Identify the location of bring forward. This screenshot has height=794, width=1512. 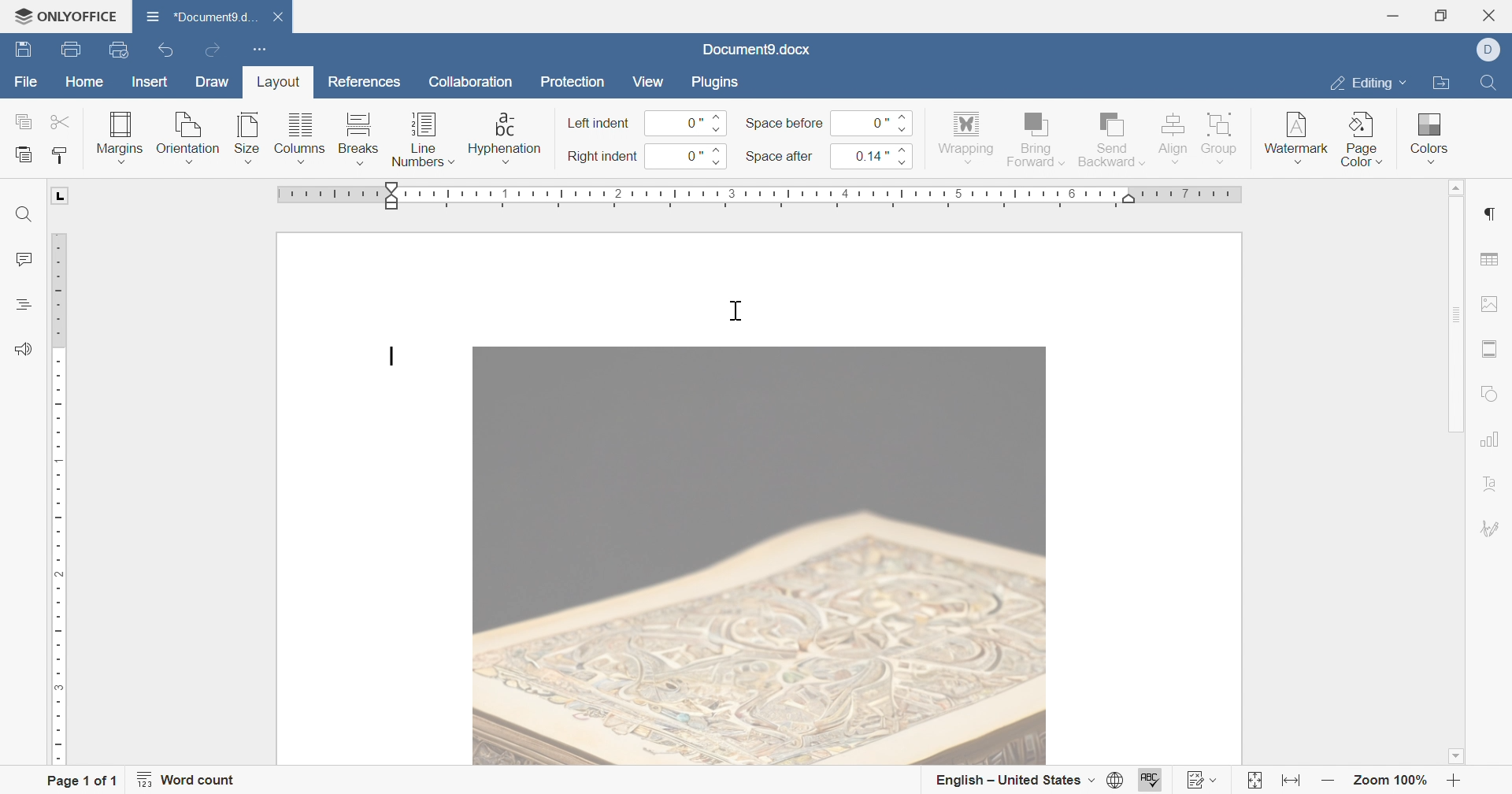
(1034, 137).